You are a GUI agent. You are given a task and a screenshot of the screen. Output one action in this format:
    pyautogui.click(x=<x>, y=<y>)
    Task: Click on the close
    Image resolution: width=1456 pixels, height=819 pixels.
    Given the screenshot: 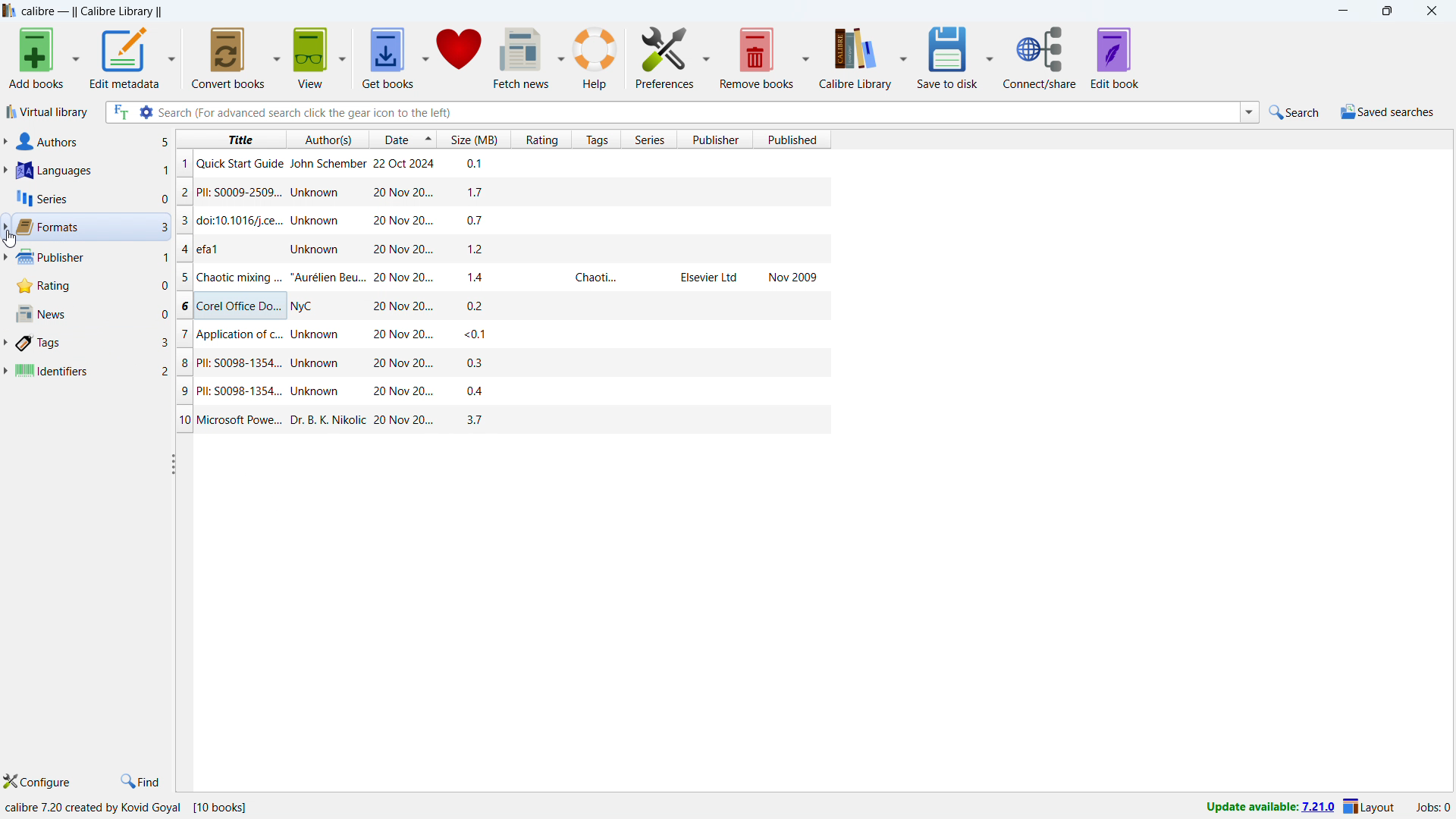 What is the action you would take?
    pyautogui.click(x=1432, y=10)
    